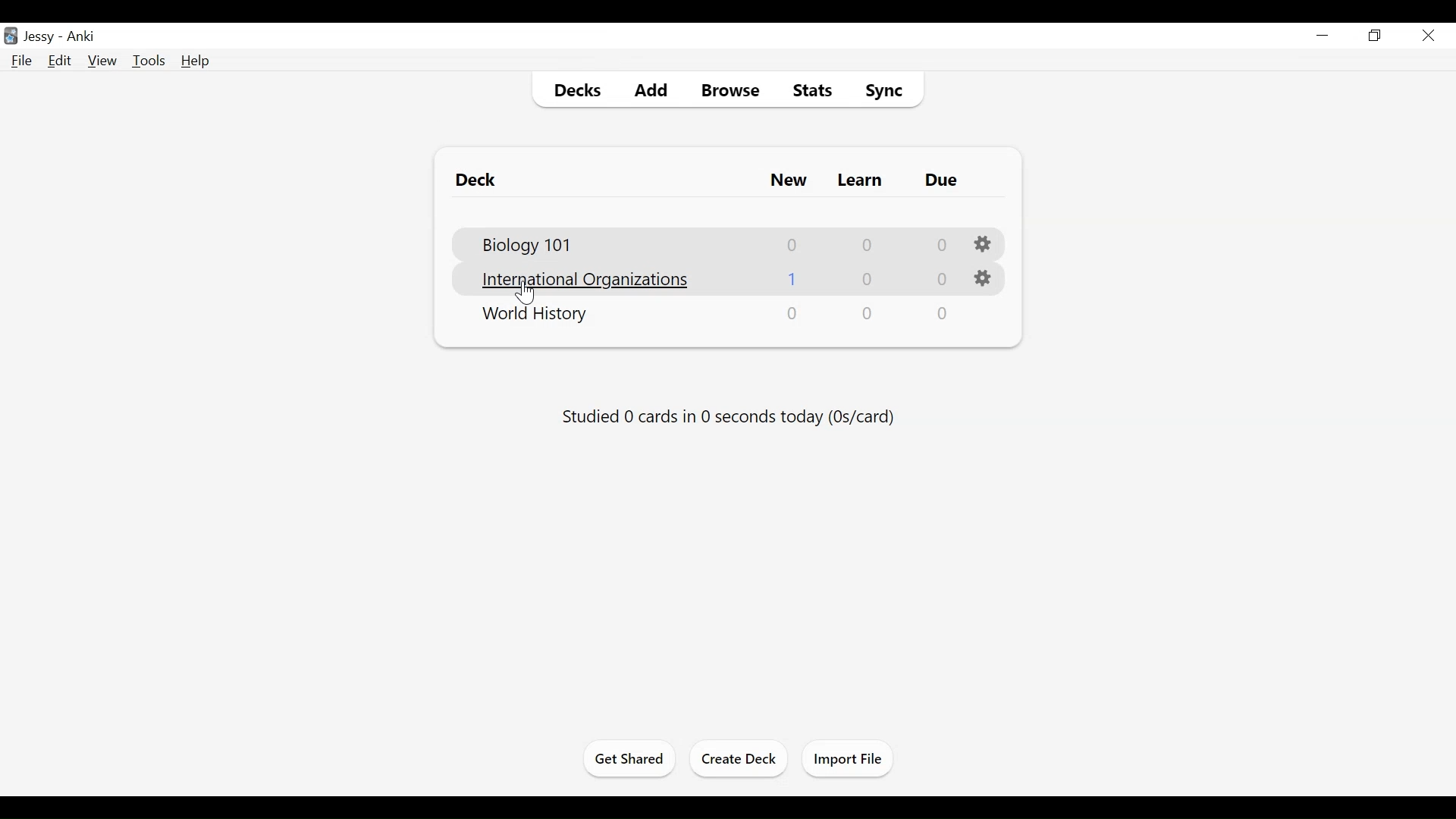 The width and height of the screenshot is (1456, 819). What do you see at coordinates (530, 244) in the screenshot?
I see `Deck Name` at bounding box center [530, 244].